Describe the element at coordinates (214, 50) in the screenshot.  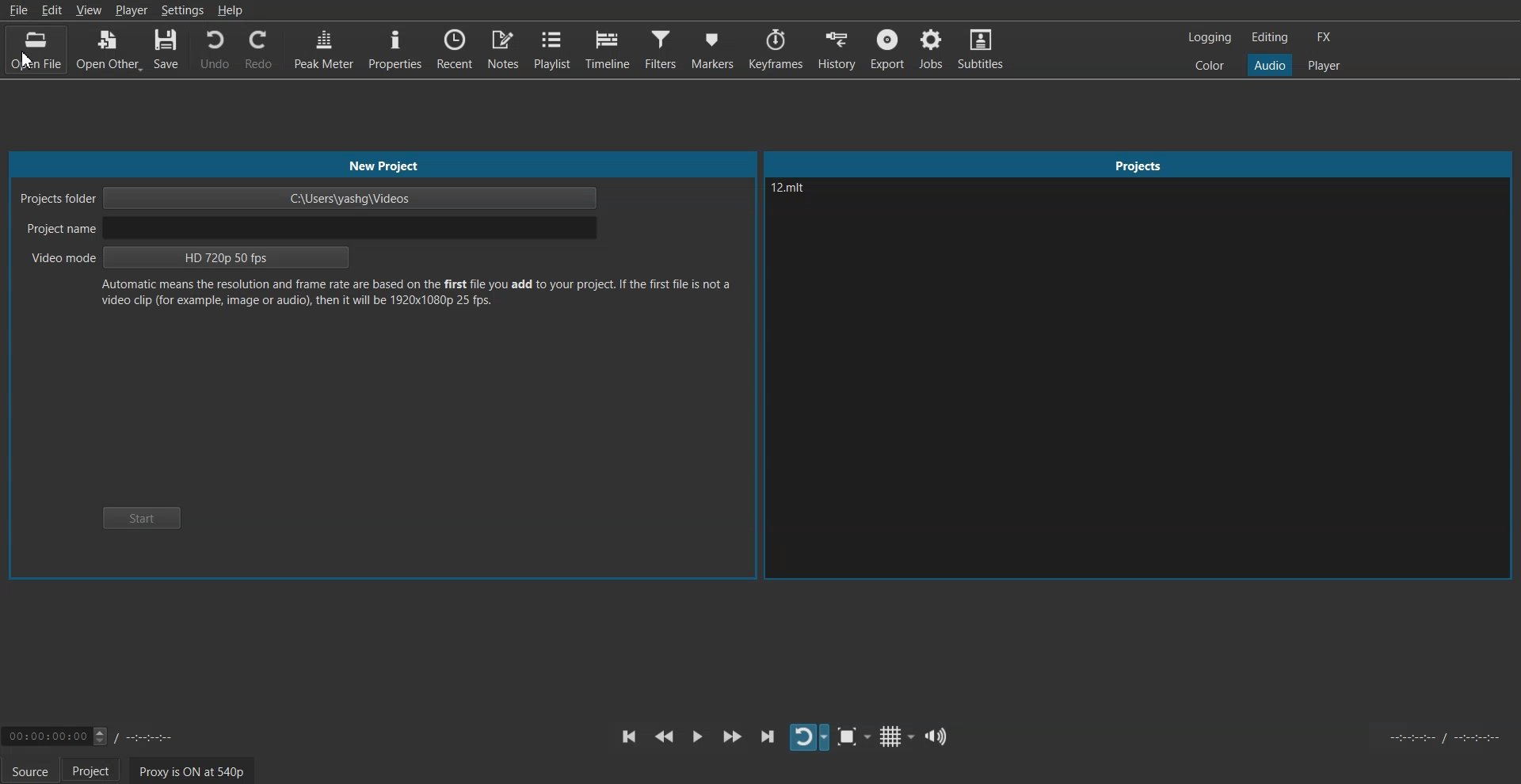
I see `Undo` at that location.